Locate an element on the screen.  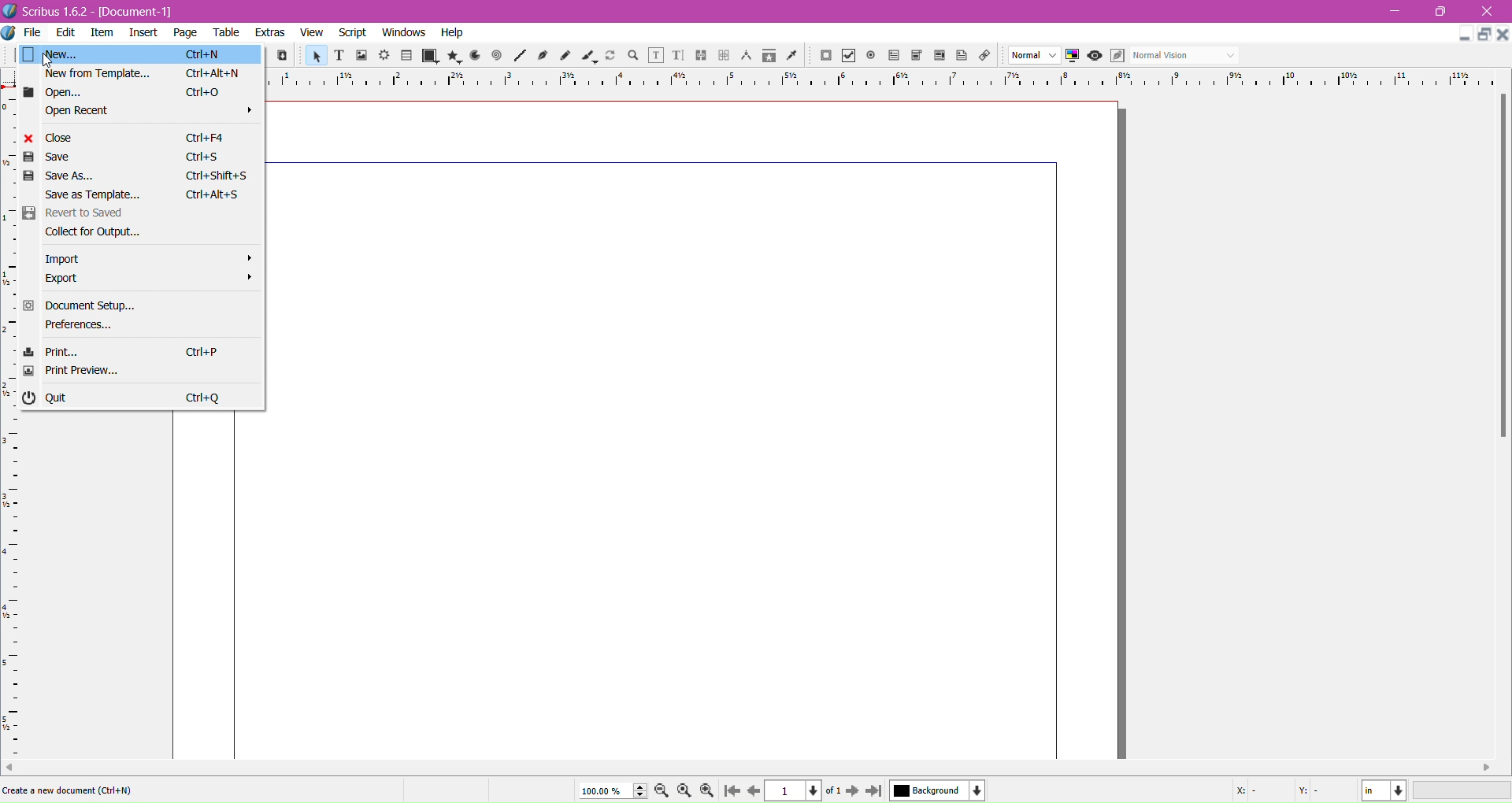
Item is located at coordinates (105, 34).